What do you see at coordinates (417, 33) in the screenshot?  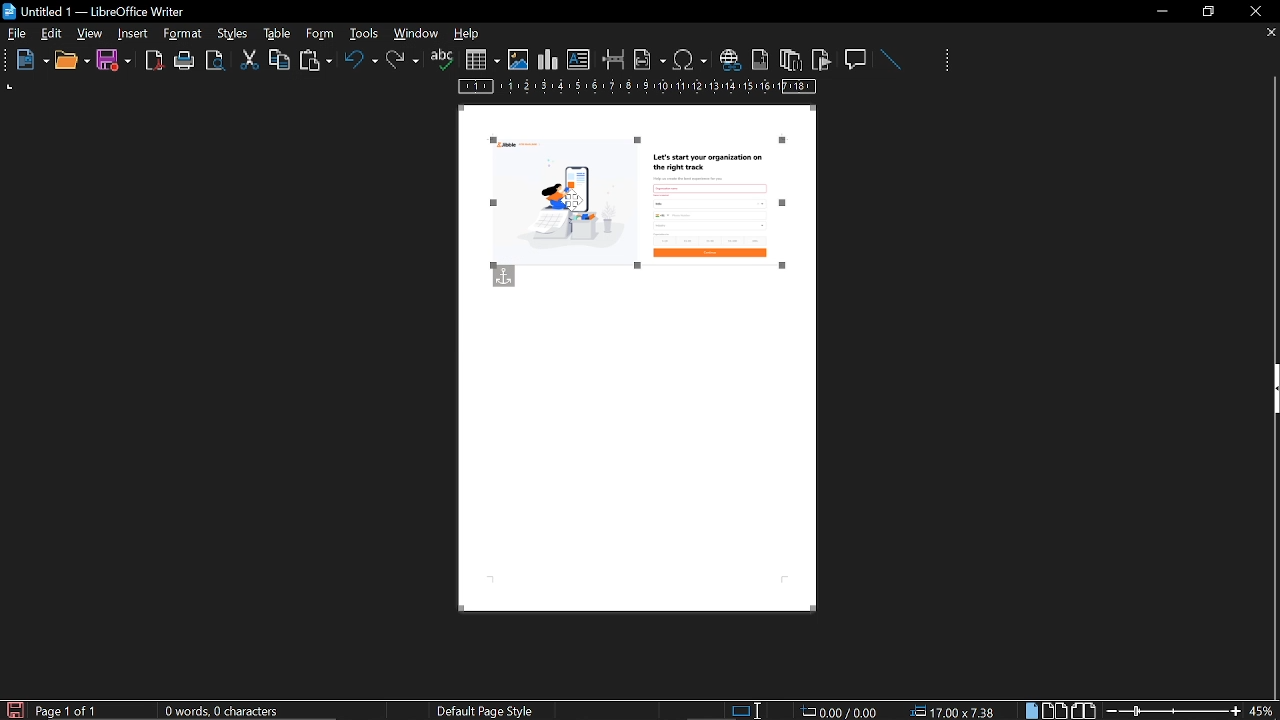 I see `window` at bounding box center [417, 33].